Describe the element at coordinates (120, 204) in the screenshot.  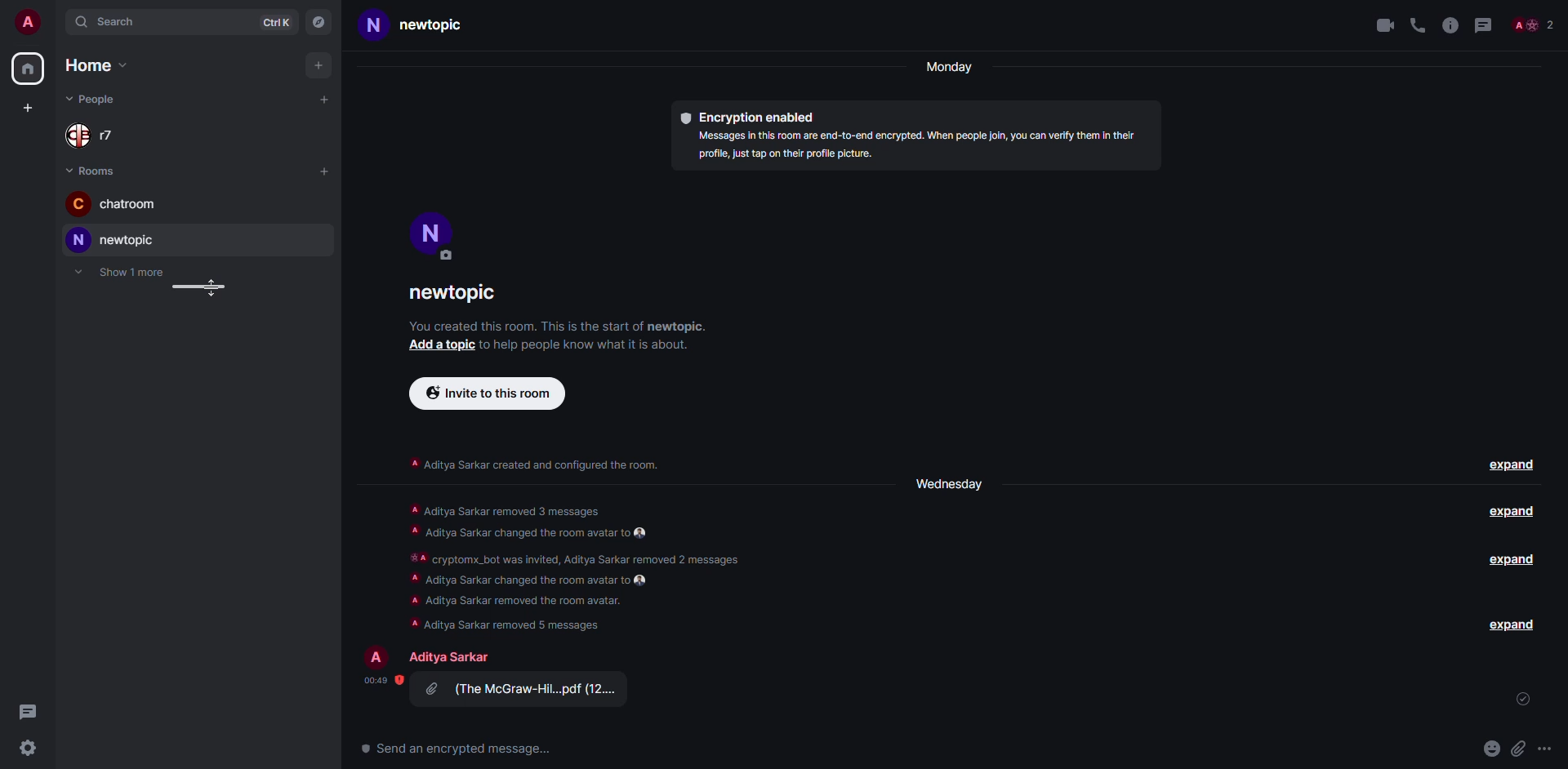
I see `chatroom` at that location.